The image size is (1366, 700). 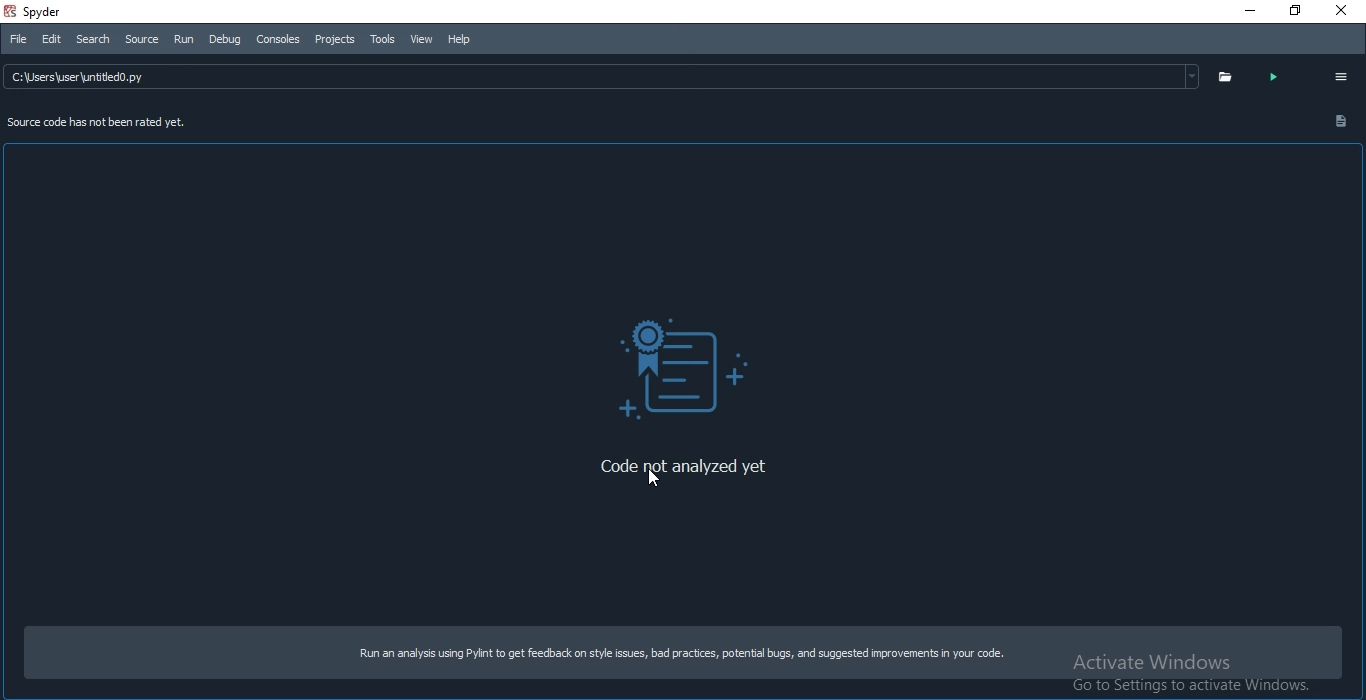 What do you see at coordinates (606, 76) in the screenshot?
I see `file path` at bounding box center [606, 76].